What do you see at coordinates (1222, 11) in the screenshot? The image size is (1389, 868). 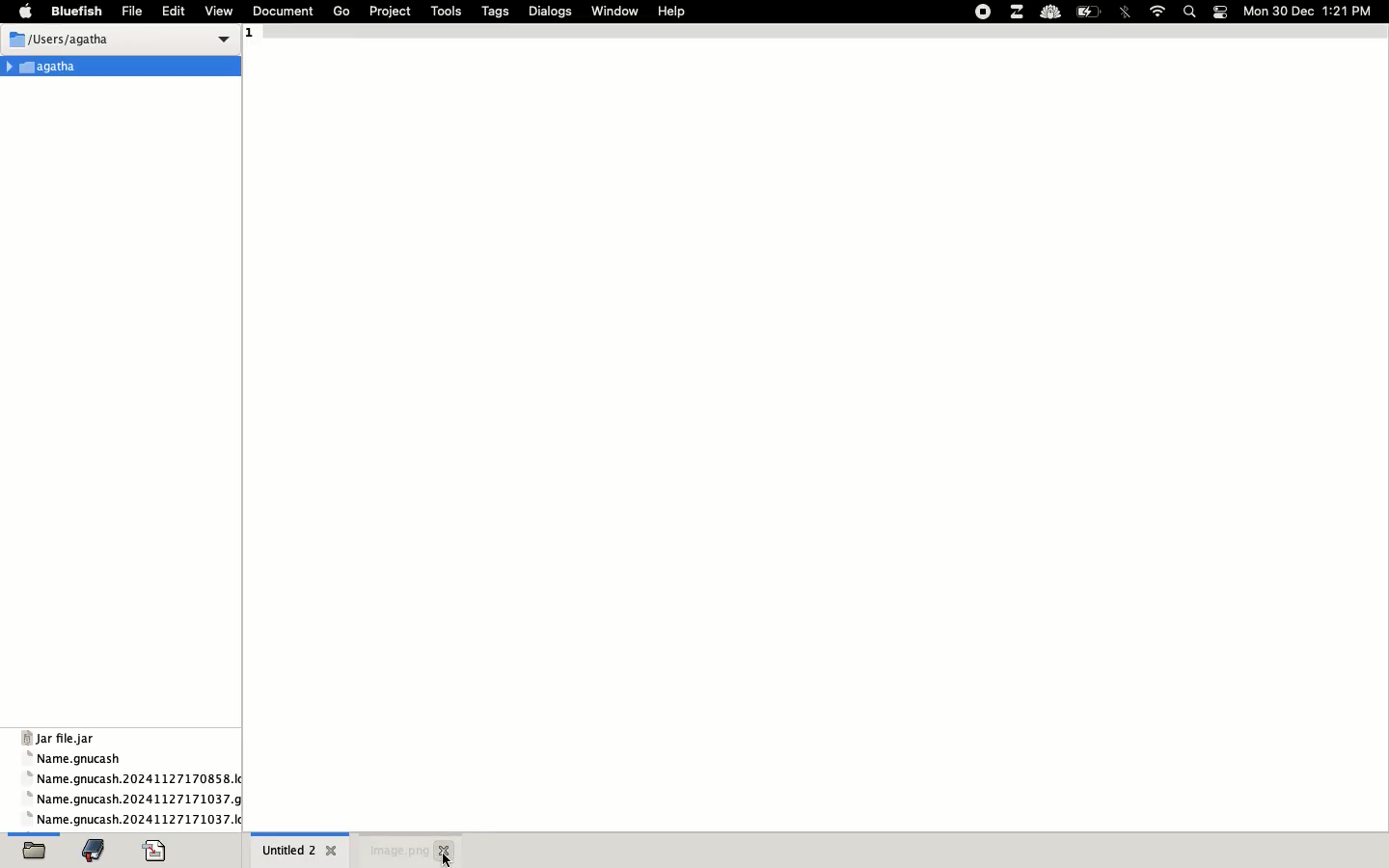 I see `notification` at bounding box center [1222, 11].